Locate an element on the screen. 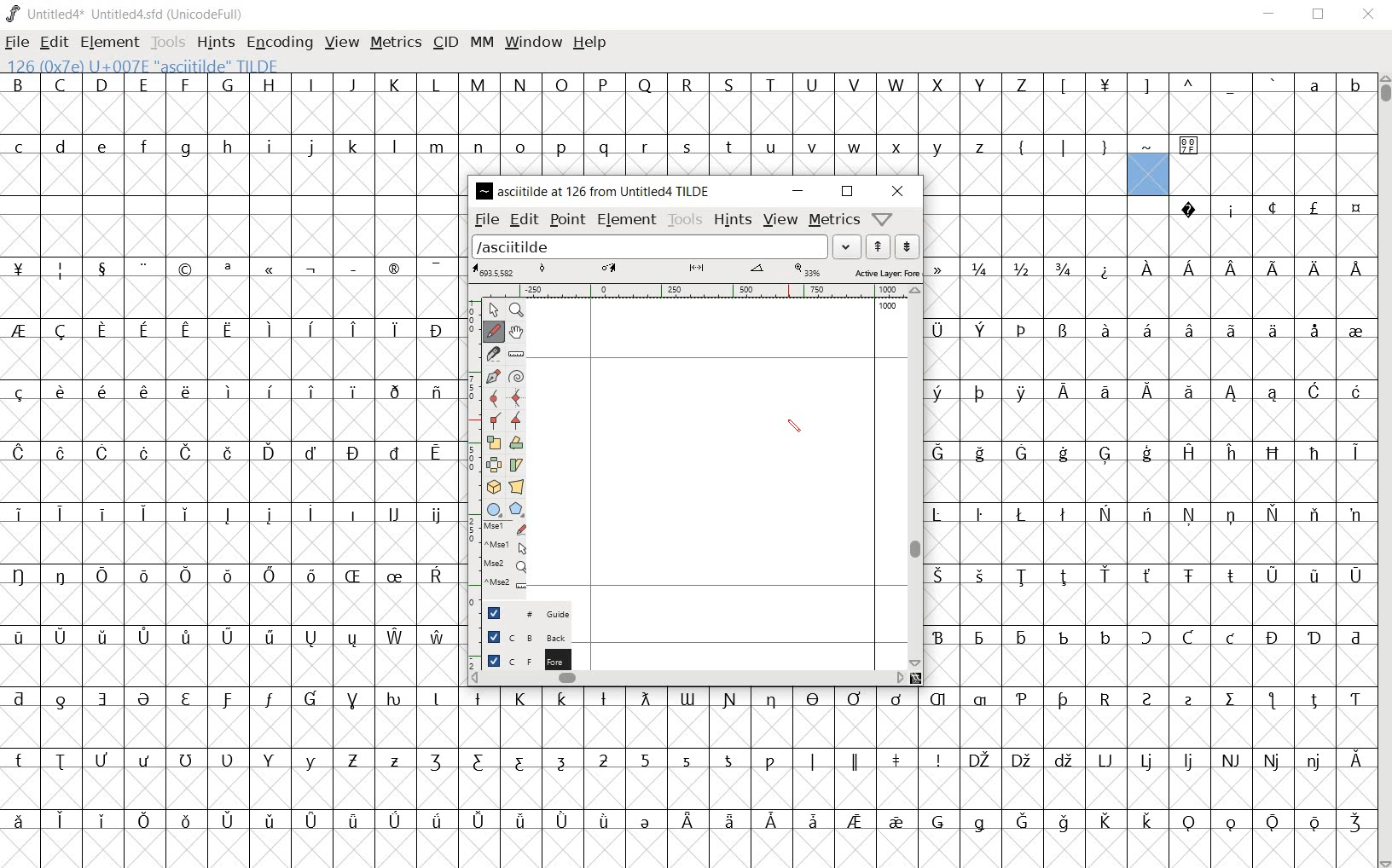  add a curve point always either horizontal or vertical is located at coordinates (517, 399).